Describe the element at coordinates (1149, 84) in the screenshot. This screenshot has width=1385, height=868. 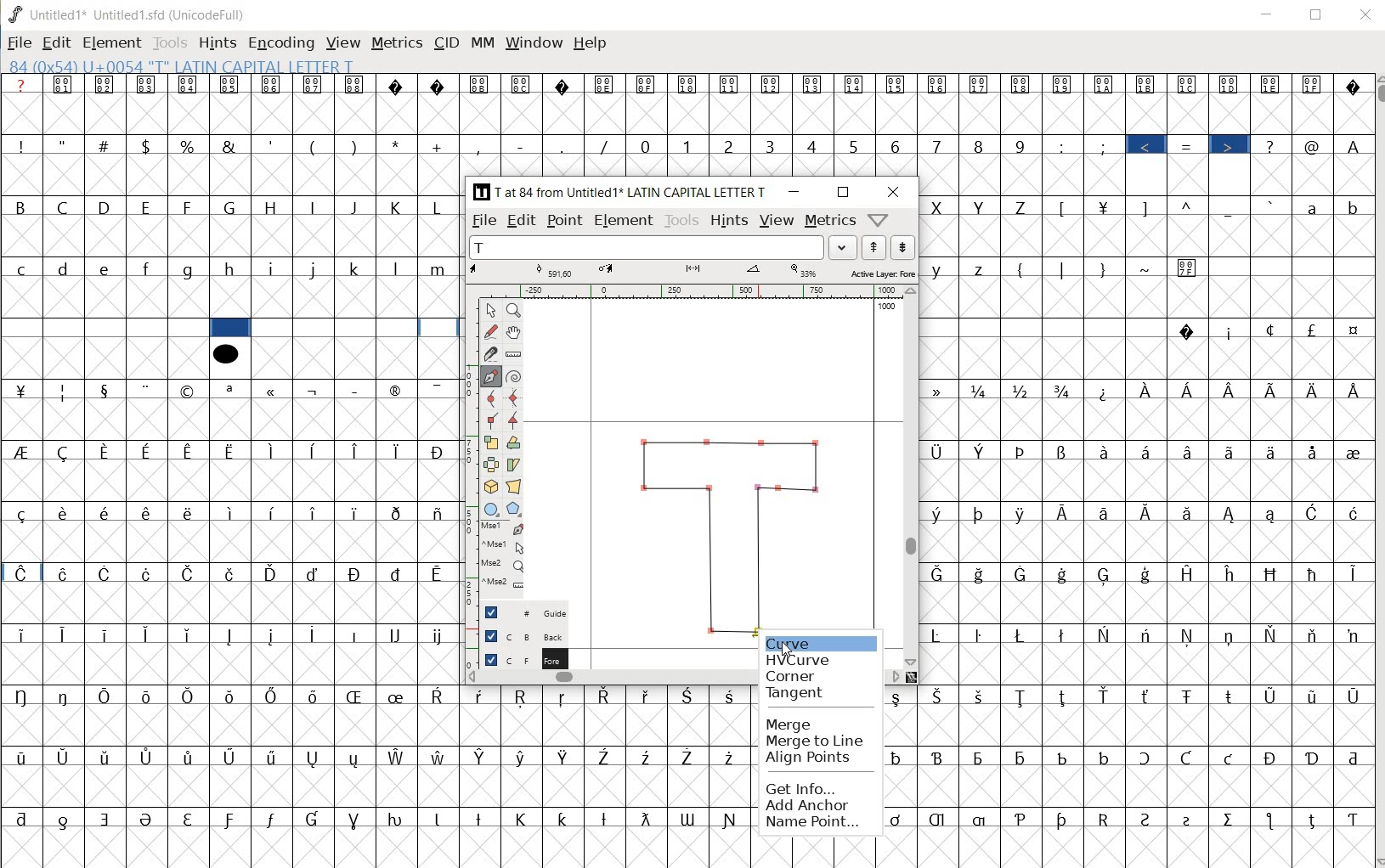
I see `Symbol` at that location.